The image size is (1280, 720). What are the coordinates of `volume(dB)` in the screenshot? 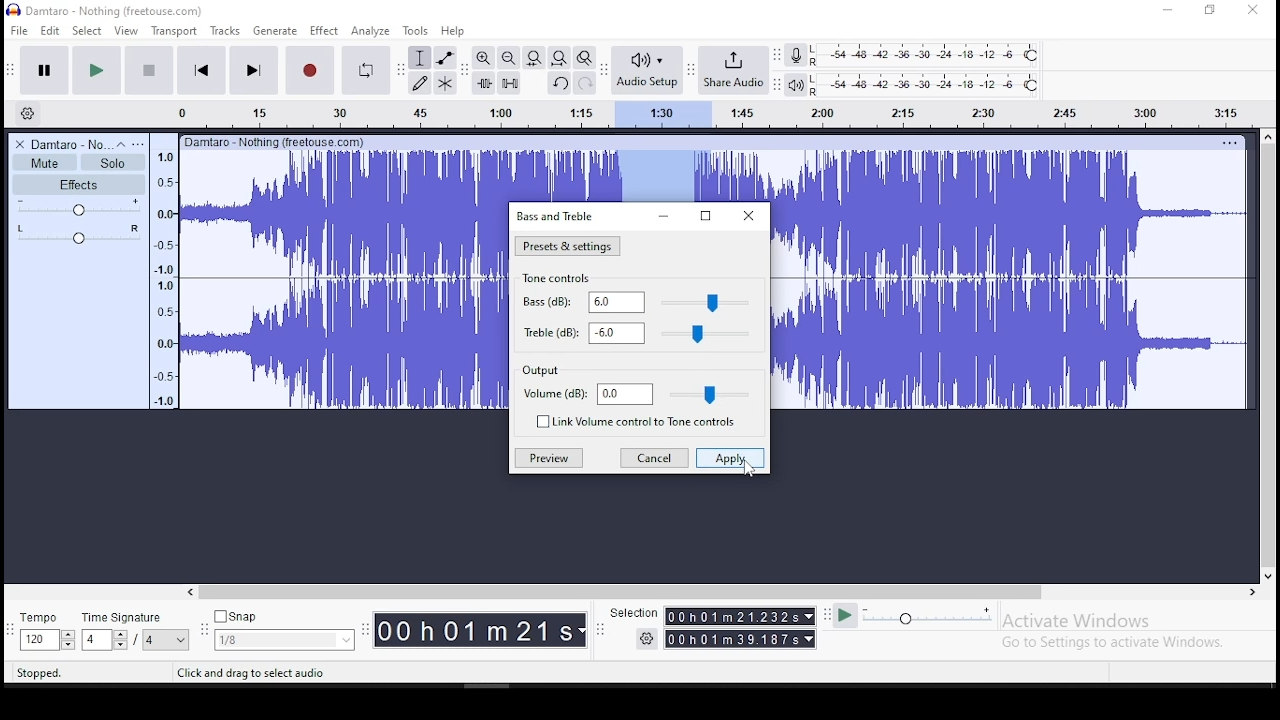 It's located at (555, 395).